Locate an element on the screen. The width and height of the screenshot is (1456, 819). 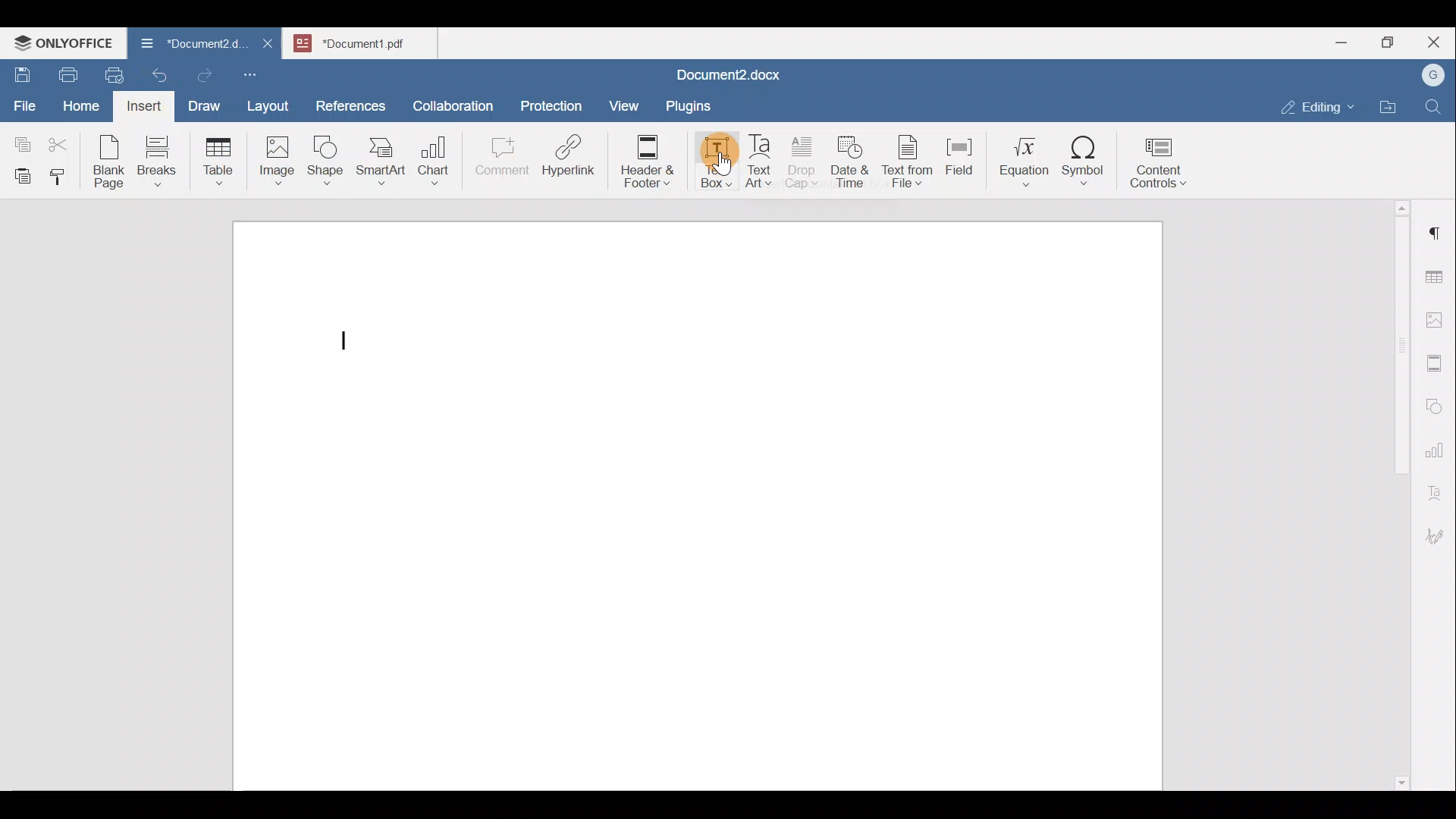
Signature settings is located at coordinates (1439, 531).